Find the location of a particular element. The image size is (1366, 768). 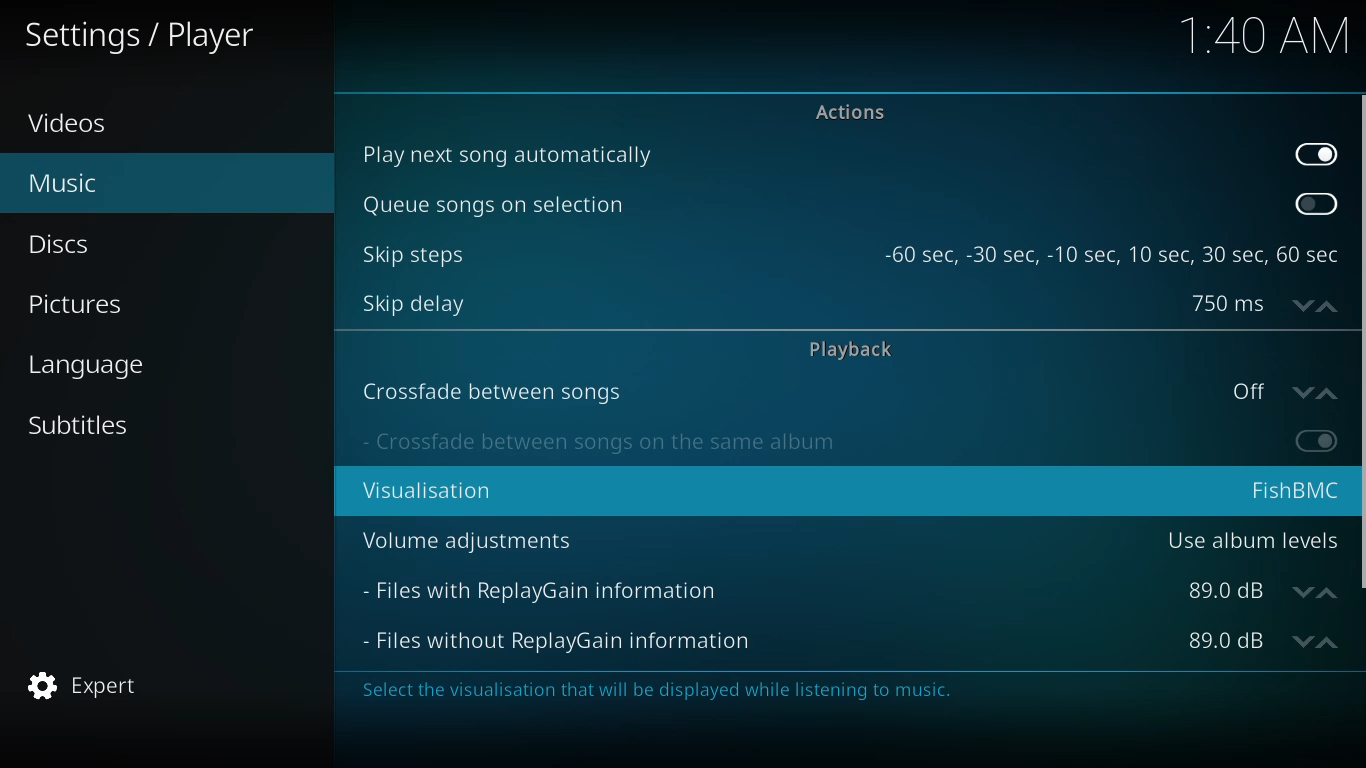

subtitles is located at coordinates (78, 423).